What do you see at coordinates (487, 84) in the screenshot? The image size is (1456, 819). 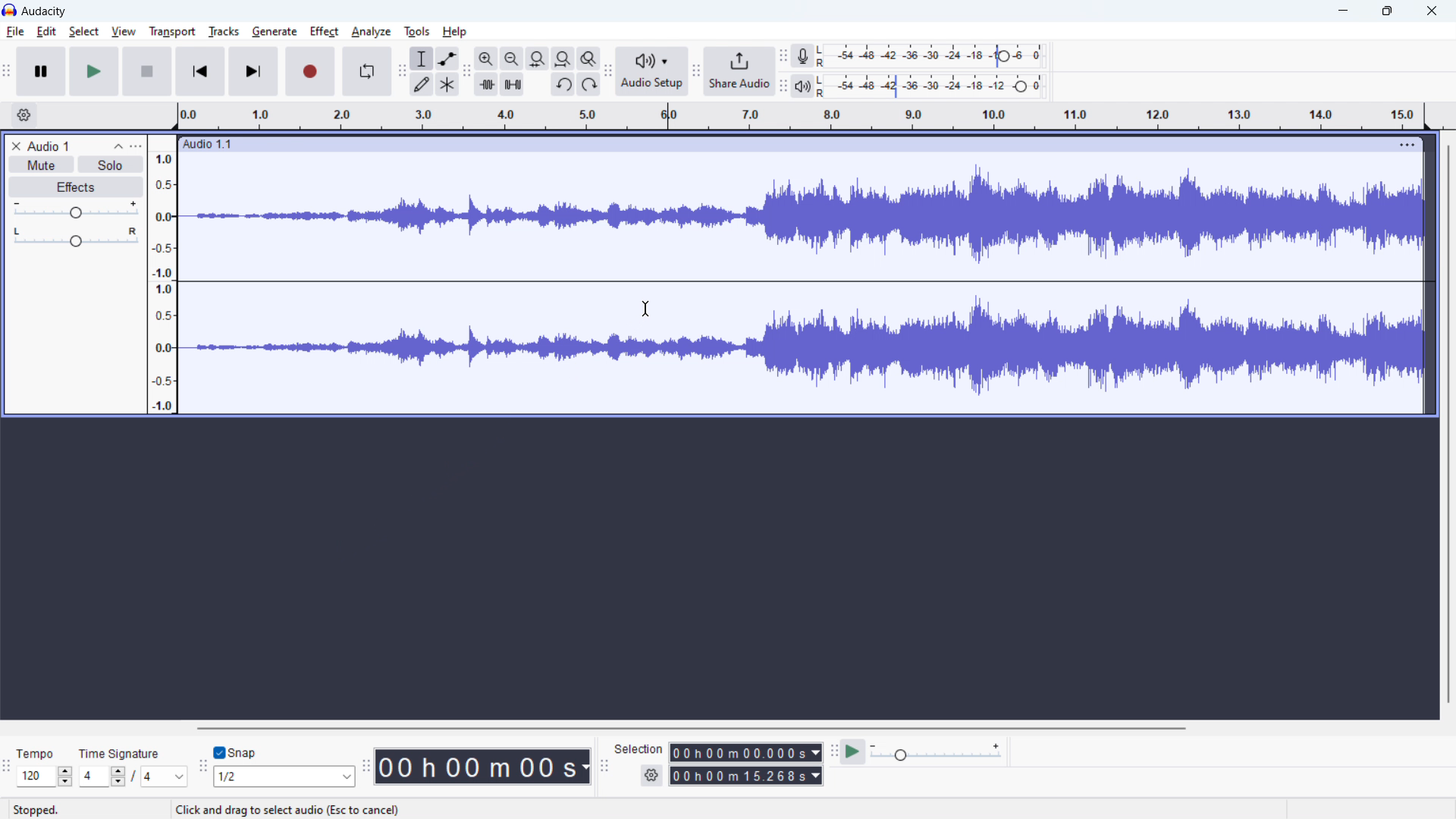 I see `trim audio outside selection` at bounding box center [487, 84].